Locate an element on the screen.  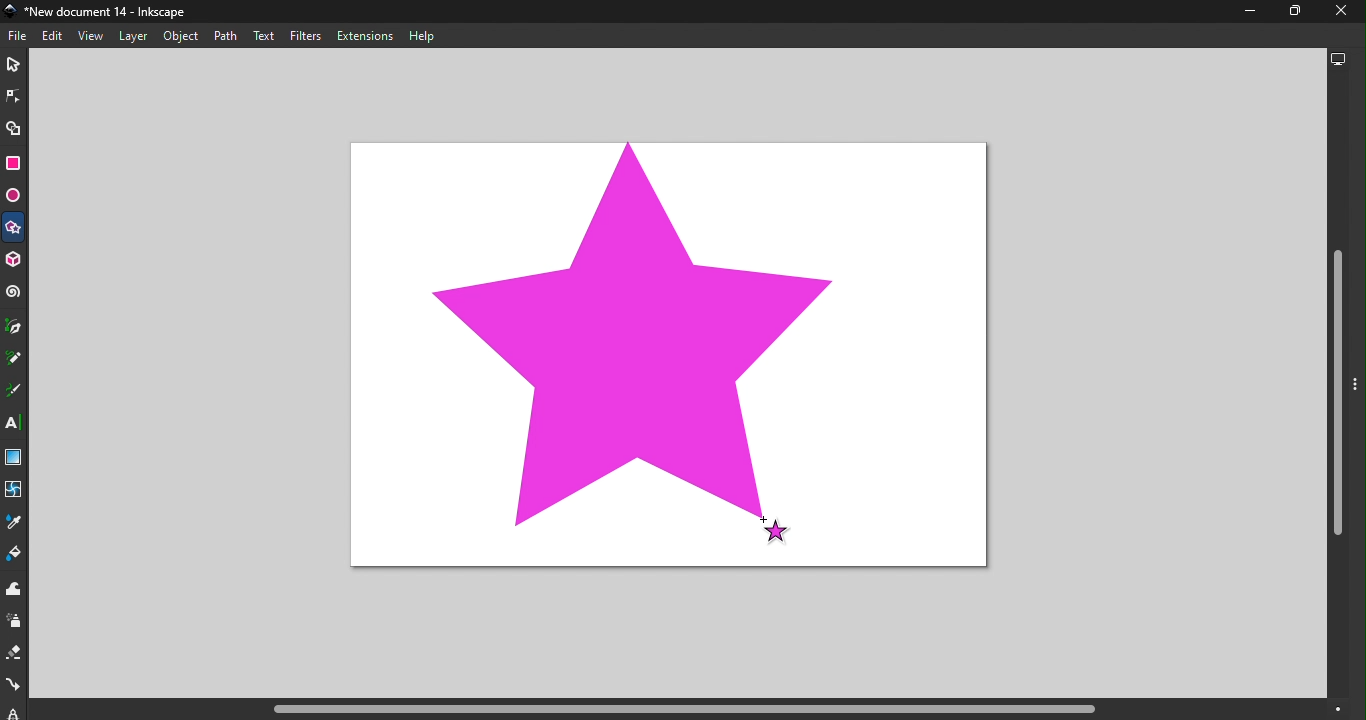
Ellipse/Arc tool is located at coordinates (15, 196).